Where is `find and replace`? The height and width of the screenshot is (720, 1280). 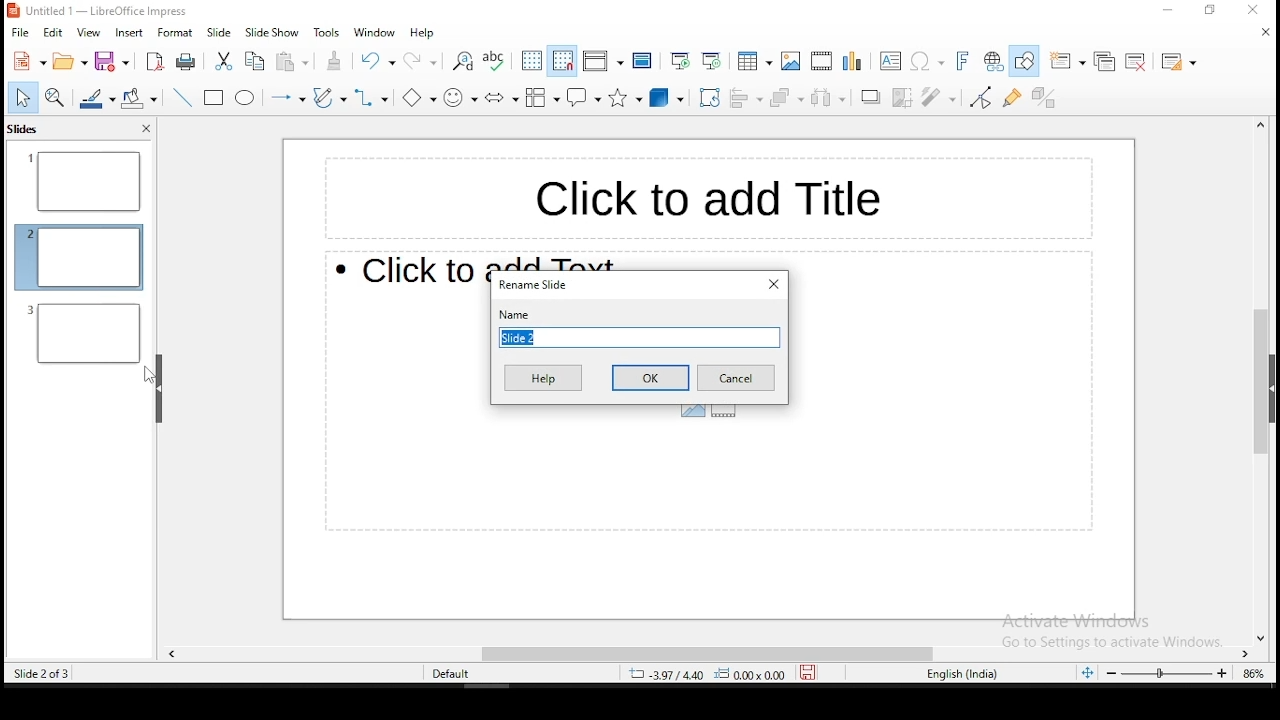 find and replace is located at coordinates (462, 63).